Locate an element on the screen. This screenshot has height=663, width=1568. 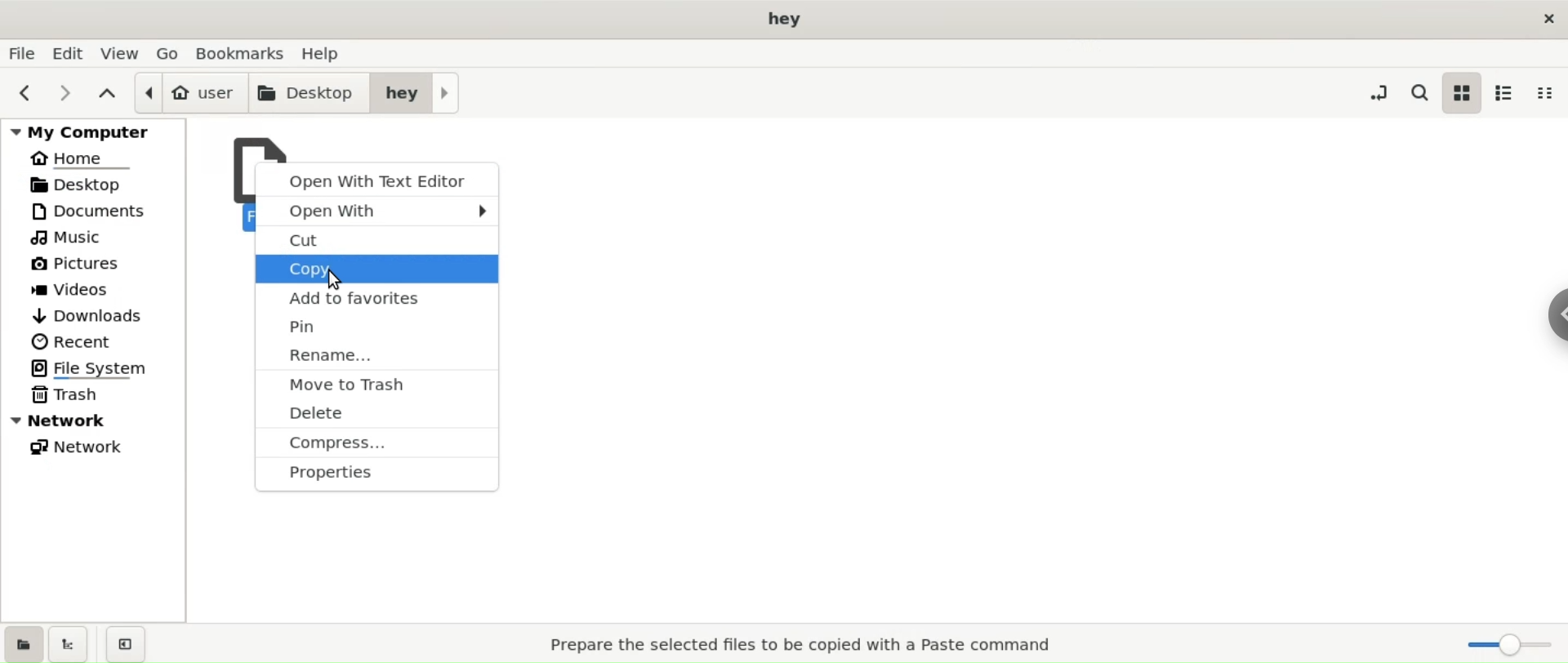
icon view is located at coordinates (1461, 93).